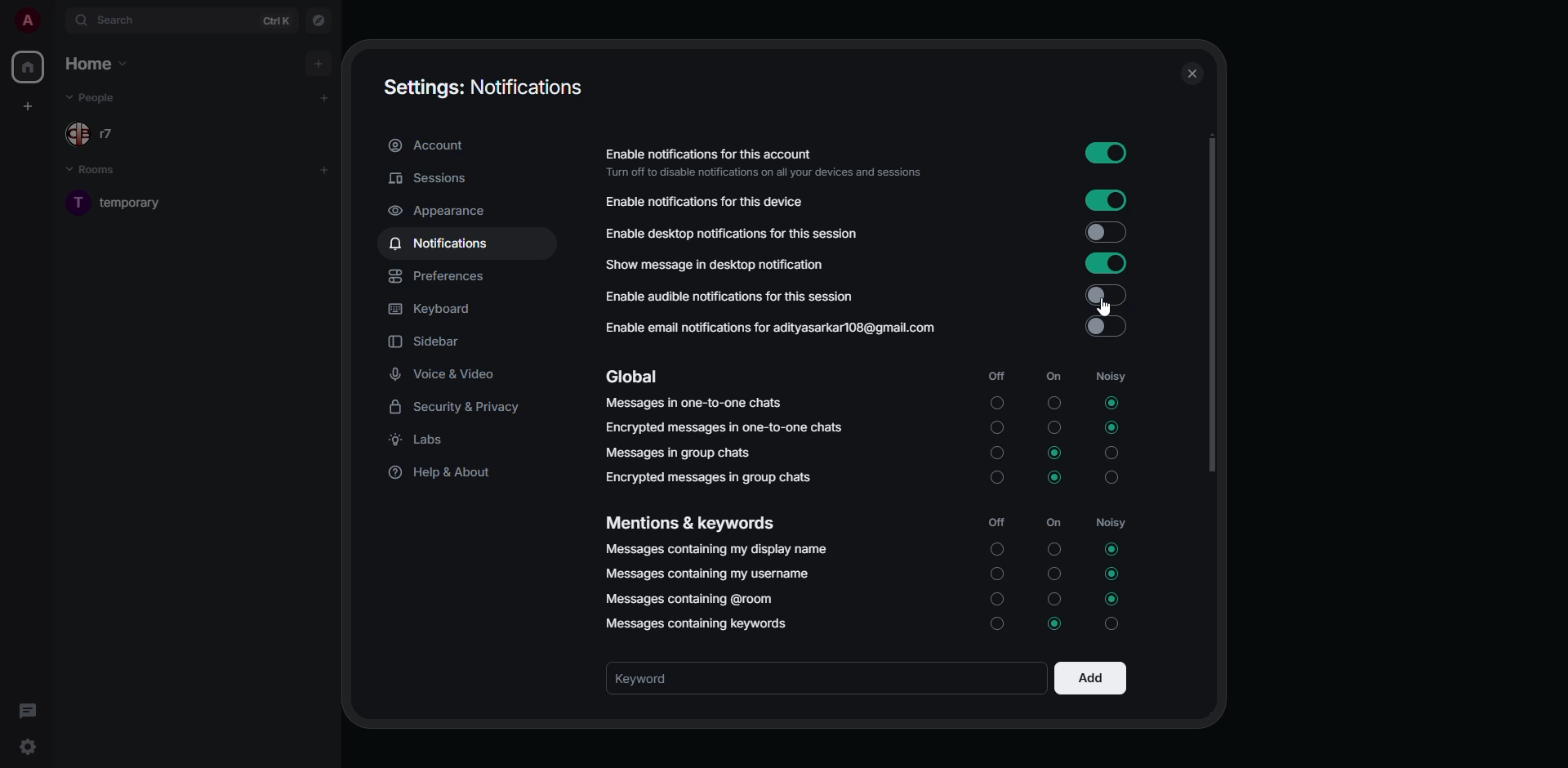 The width and height of the screenshot is (1568, 768). What do you see at coordinates (461, 408) in the screenshot?
I see `security & privacy` at bounding box center [461, 408].